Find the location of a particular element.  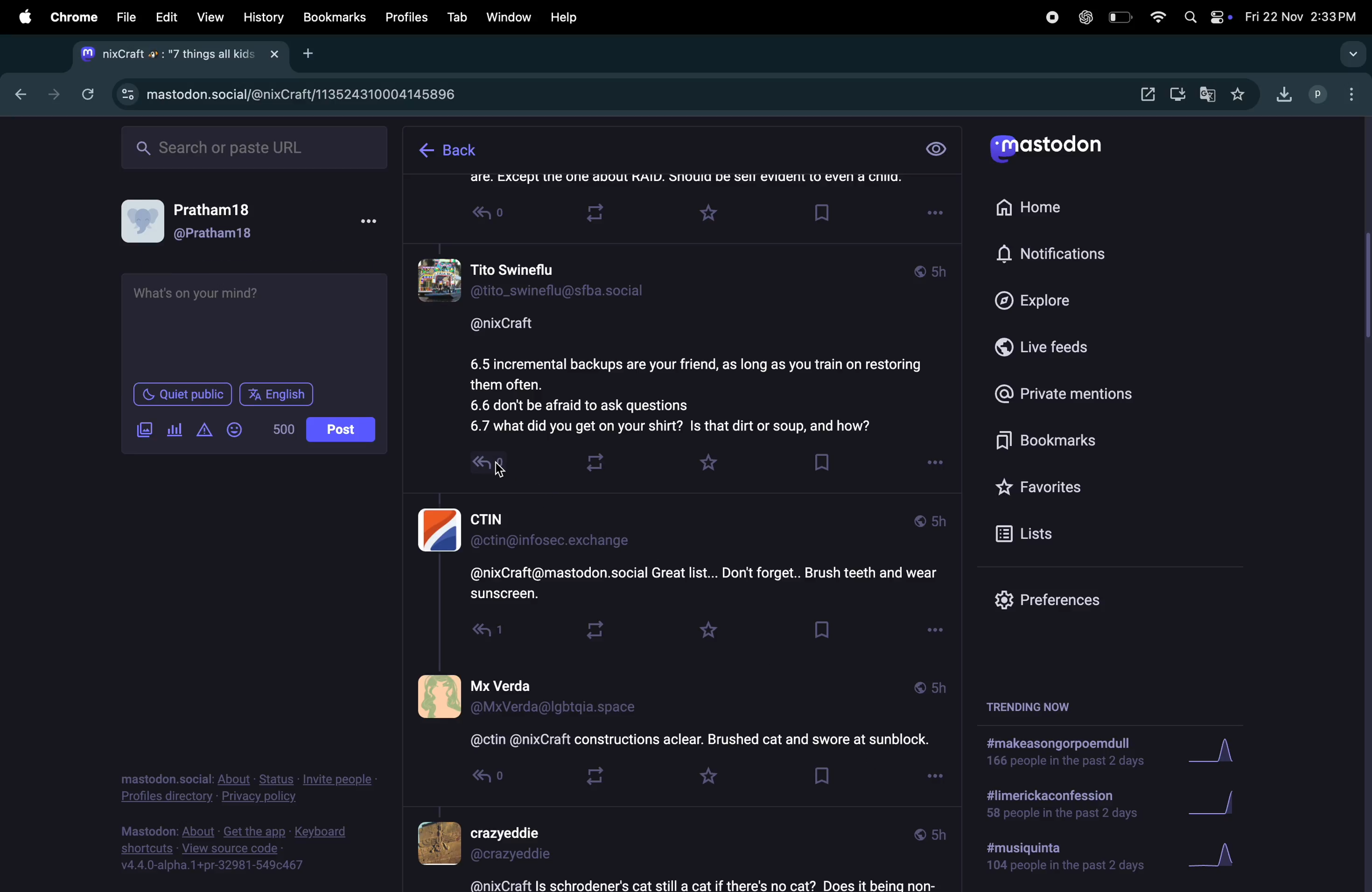

download is located at coordinates (1178, 95).